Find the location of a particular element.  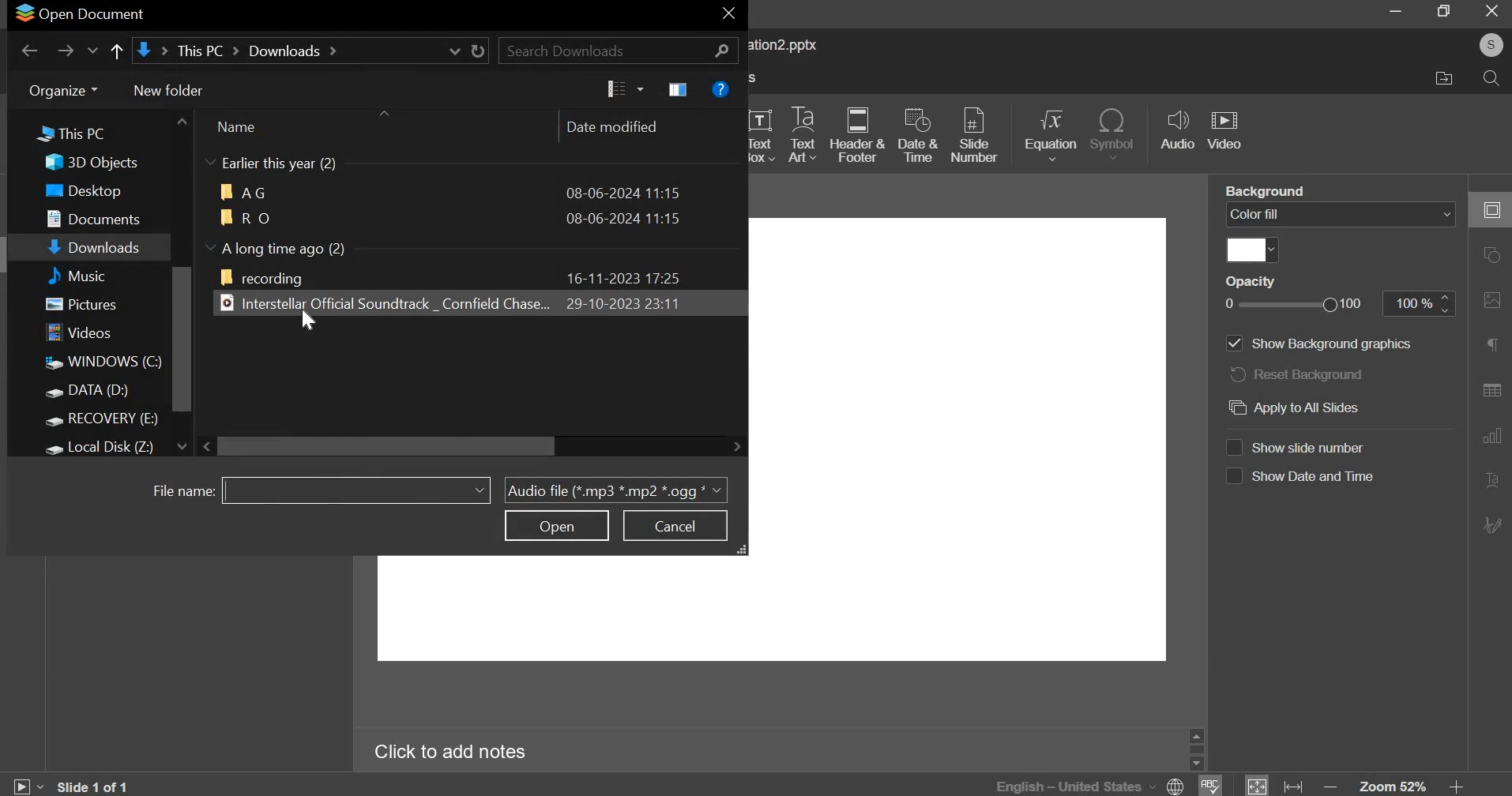

file type is located at coordinates (616, 490).